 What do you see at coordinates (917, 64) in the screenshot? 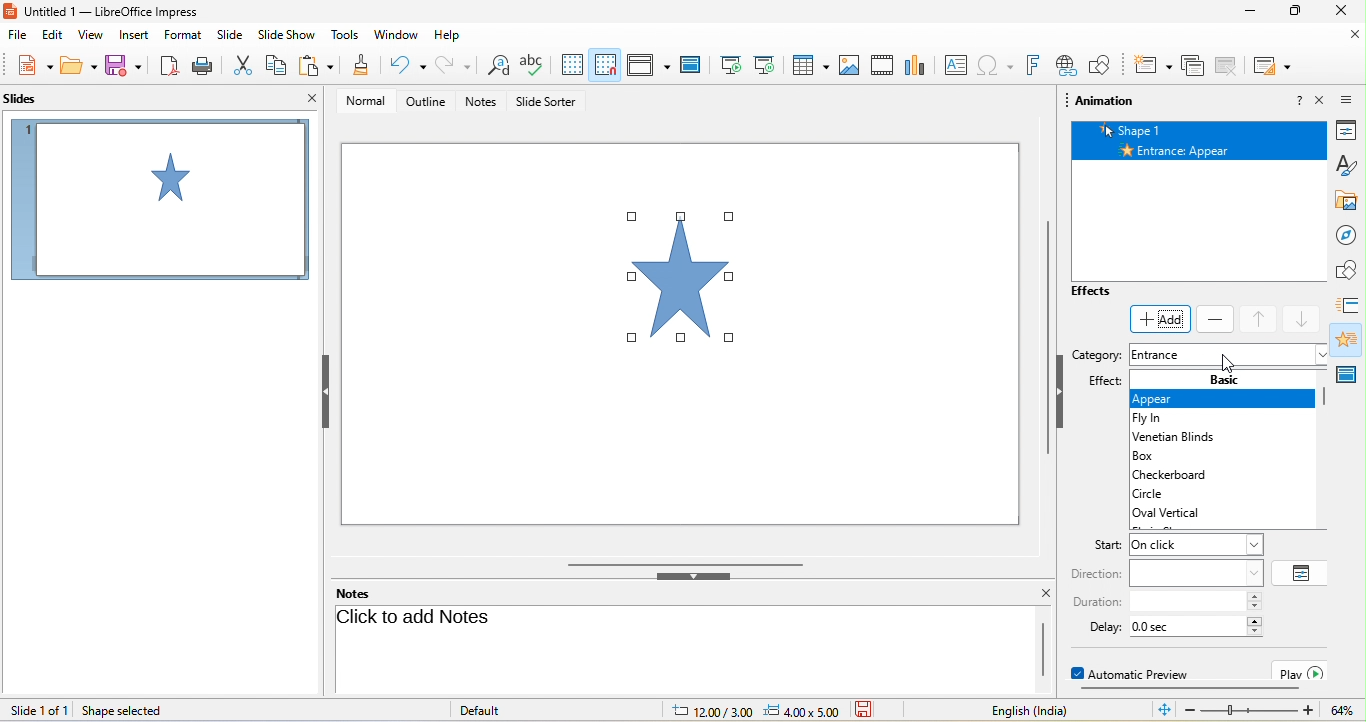
I see `chart` at bounding box center [917, 64].